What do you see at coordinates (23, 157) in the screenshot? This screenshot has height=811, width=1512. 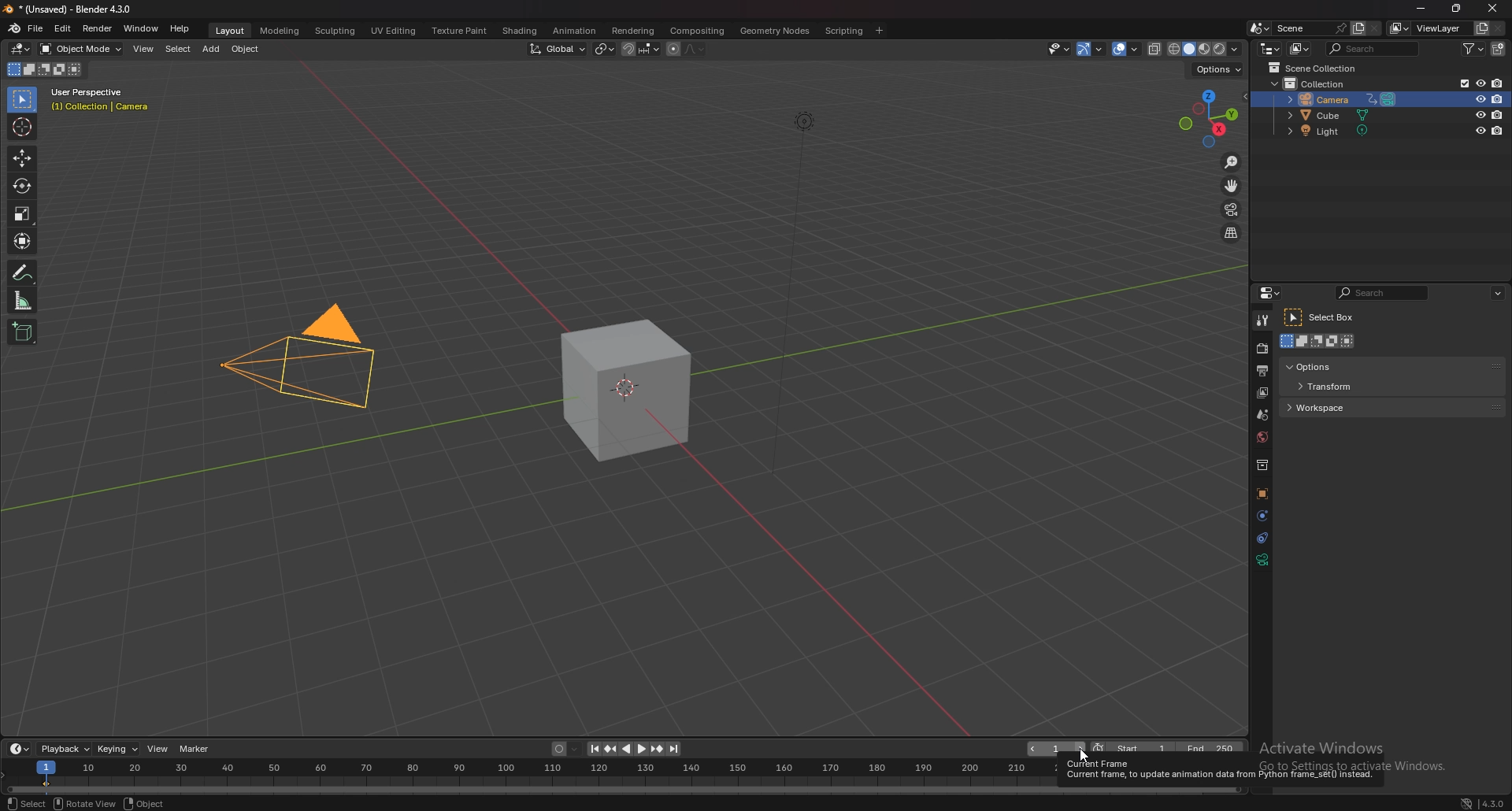 I see `move` at bounding box center [23, 157].